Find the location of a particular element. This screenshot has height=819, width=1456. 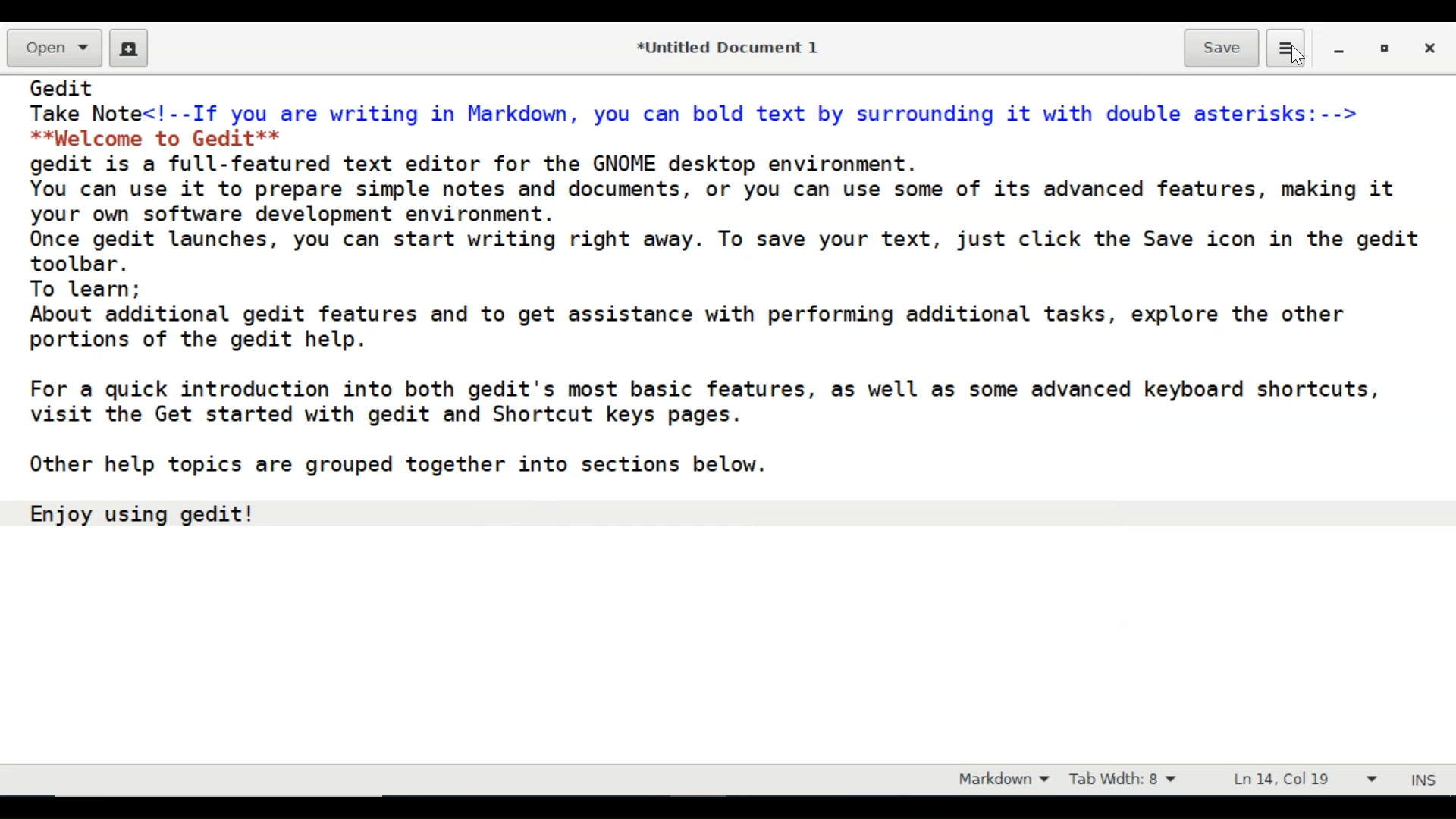

Create a new document is located at coordinates (130, 49).